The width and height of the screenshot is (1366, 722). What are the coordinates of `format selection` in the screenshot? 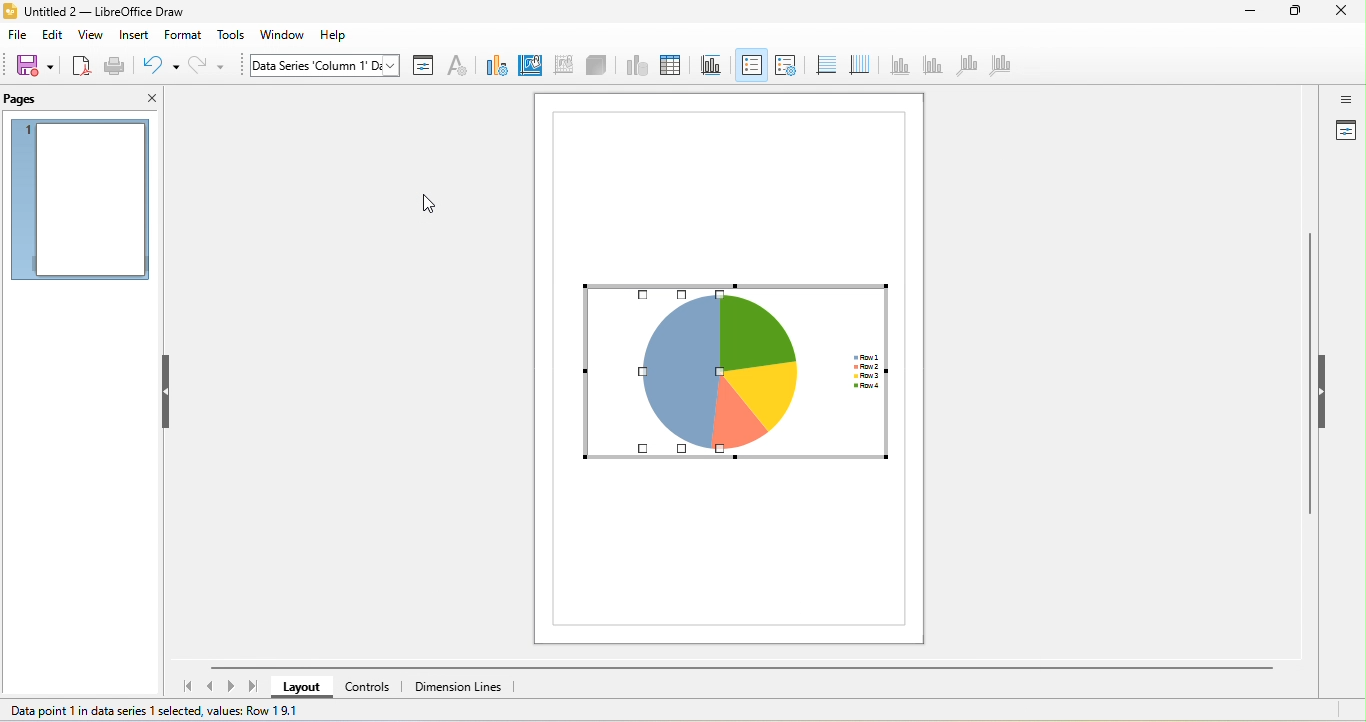 It's located at (423, 65).